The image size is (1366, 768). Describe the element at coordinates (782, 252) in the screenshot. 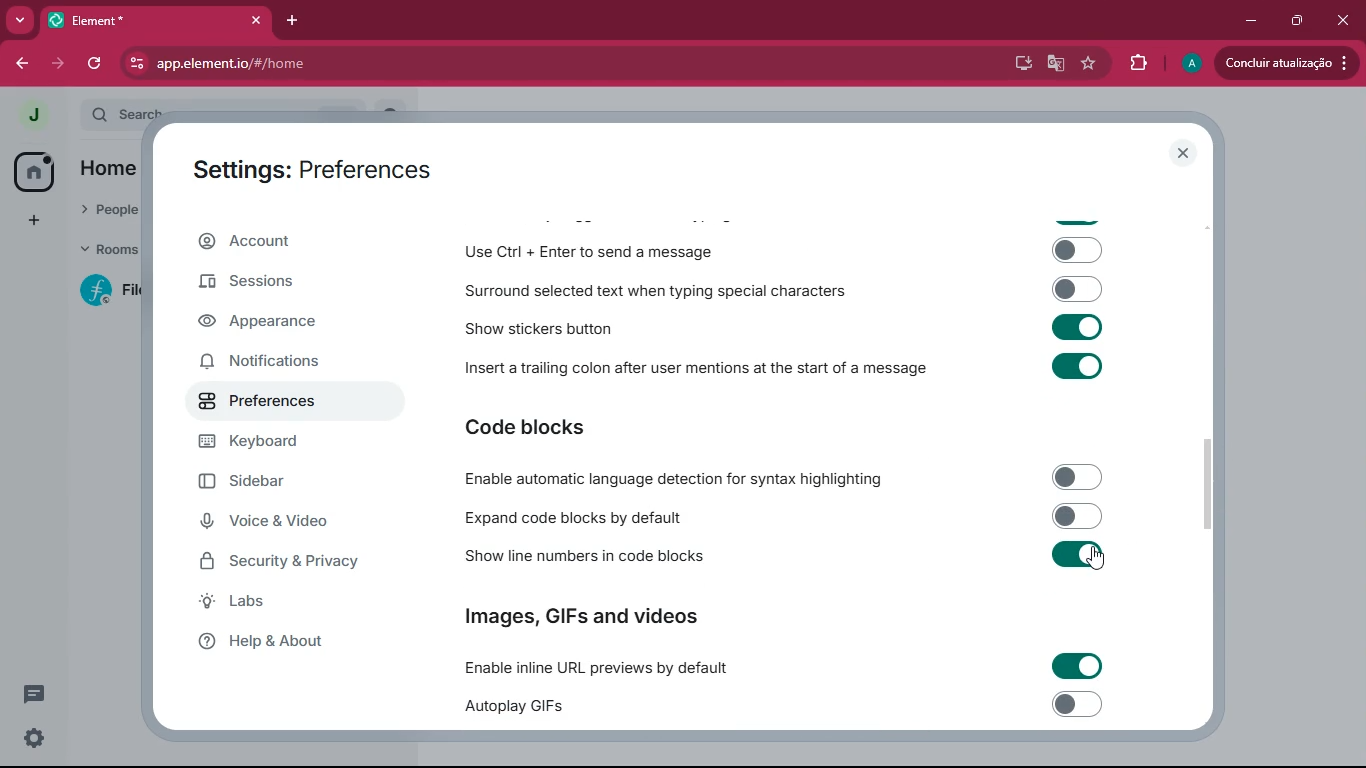

I see `Use Ctrl + Enter to send a message` at that location.